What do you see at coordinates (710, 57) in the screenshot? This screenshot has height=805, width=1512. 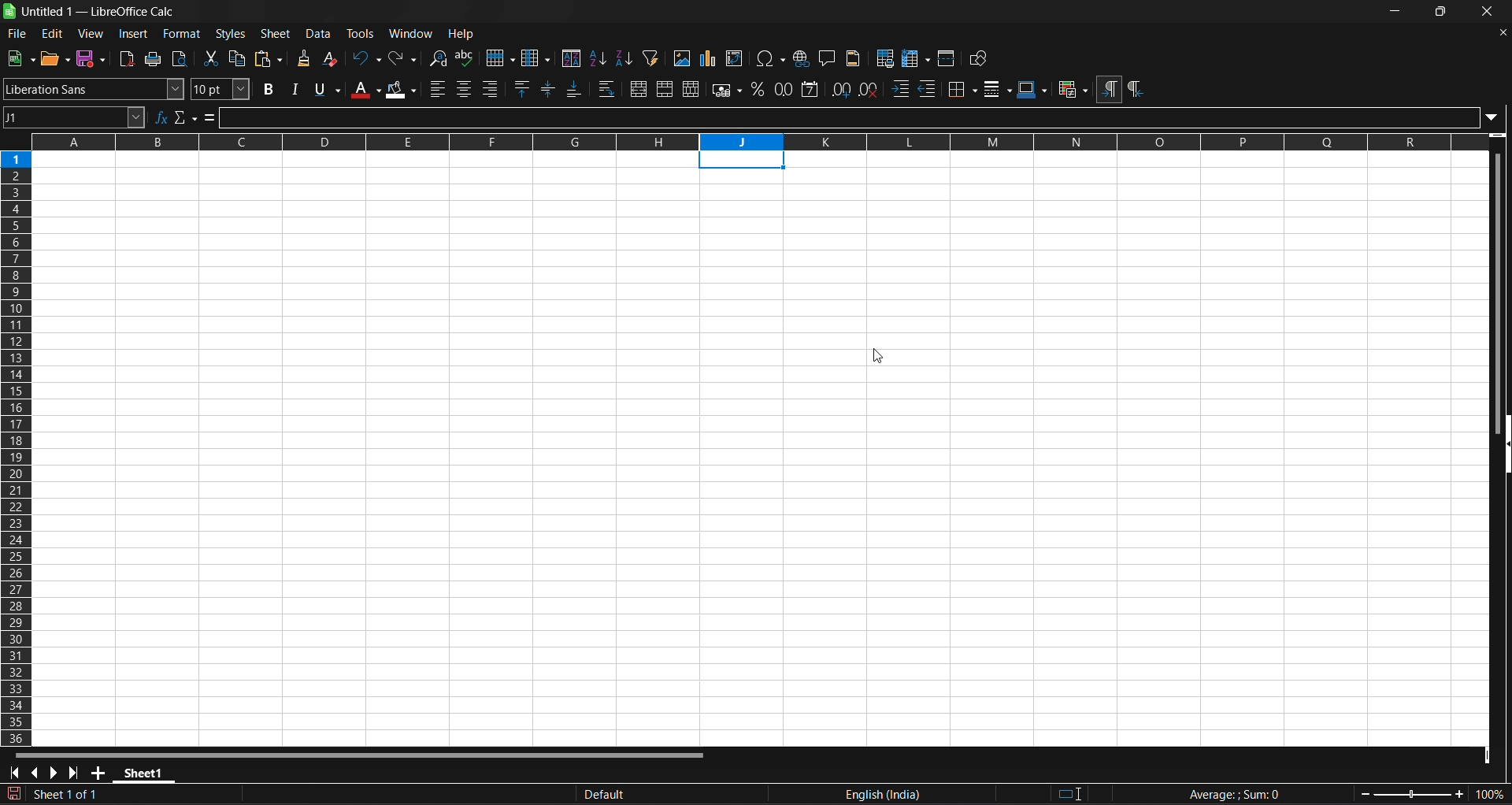 I see `insert chart` at bounding box center [710, 57].